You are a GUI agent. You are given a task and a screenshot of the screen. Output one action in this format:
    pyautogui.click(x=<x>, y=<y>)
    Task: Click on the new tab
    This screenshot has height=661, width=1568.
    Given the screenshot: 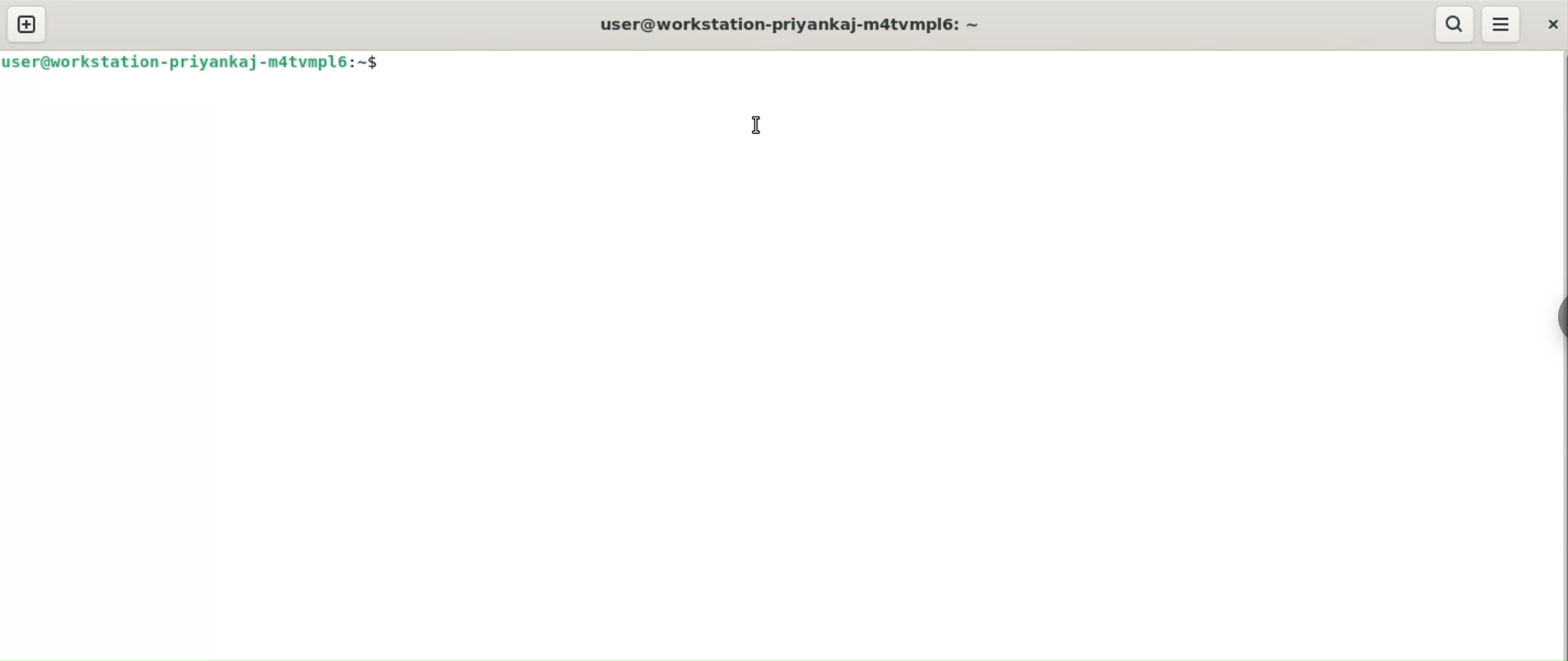 What is the action you would take?
    pyautogui.click(x=25, y=24)
    